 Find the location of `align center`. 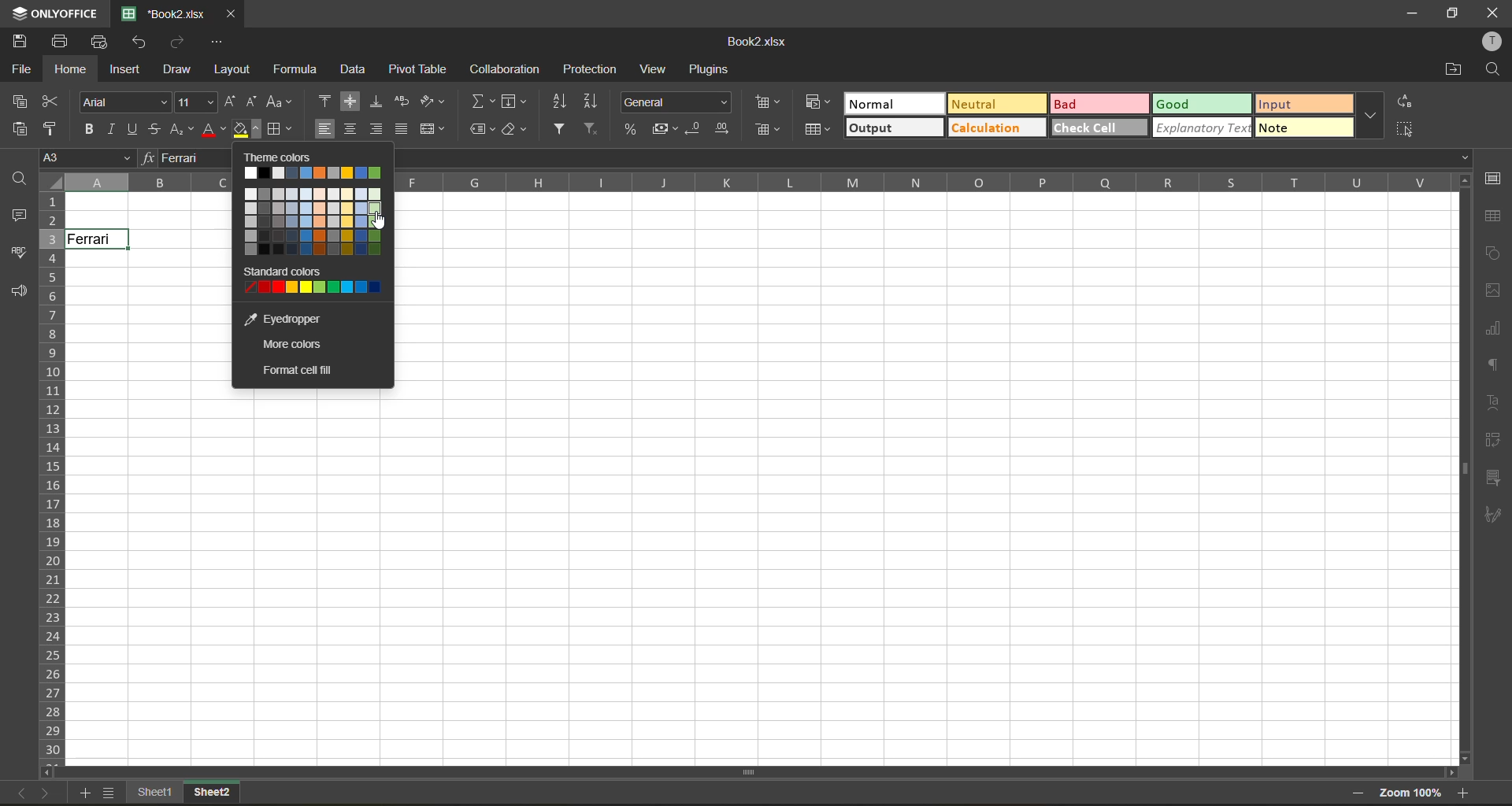

align center is located at coordinates (350, 129).